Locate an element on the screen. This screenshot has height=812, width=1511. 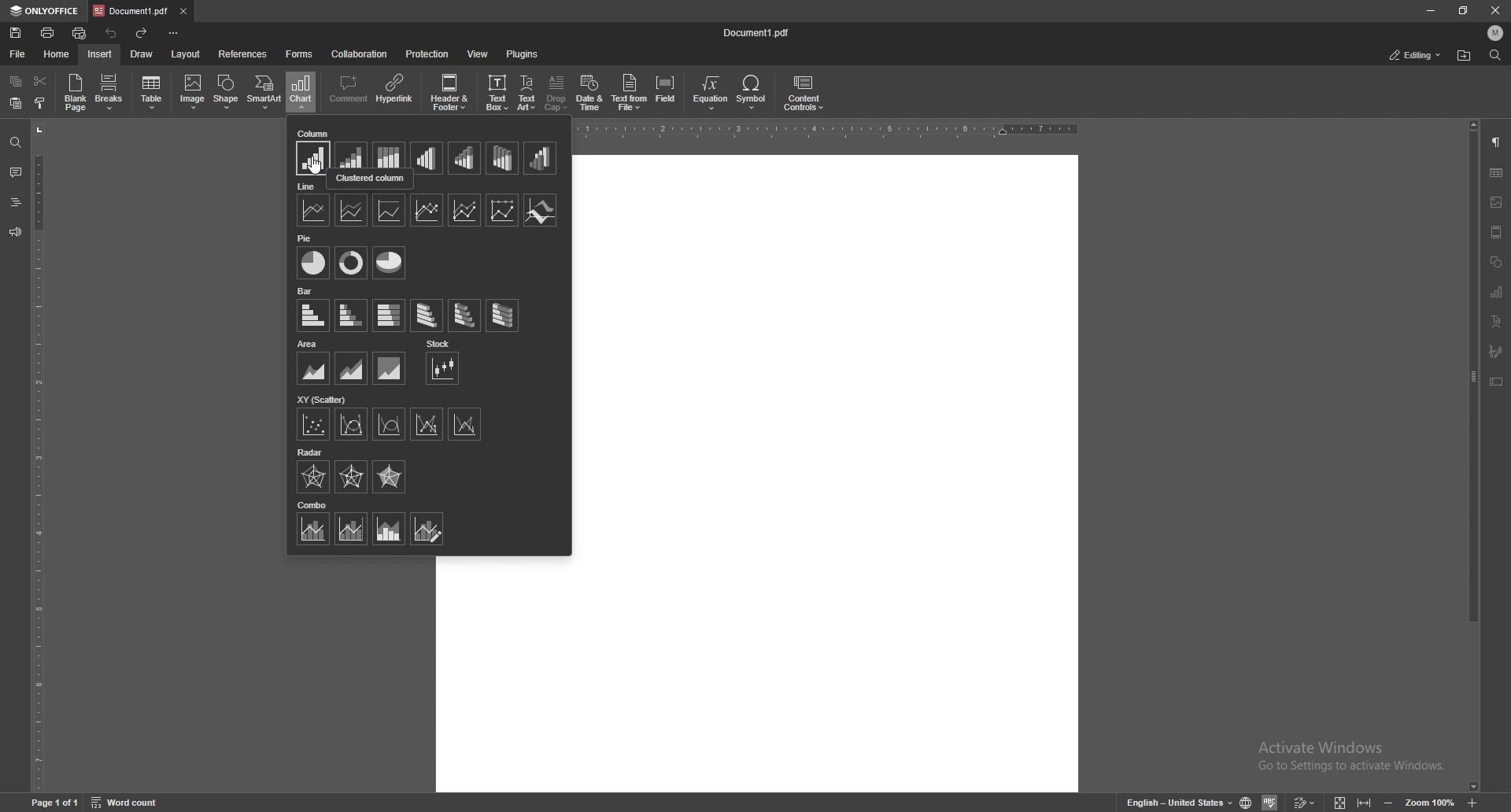
date and time is located at coordinates (452, 92).